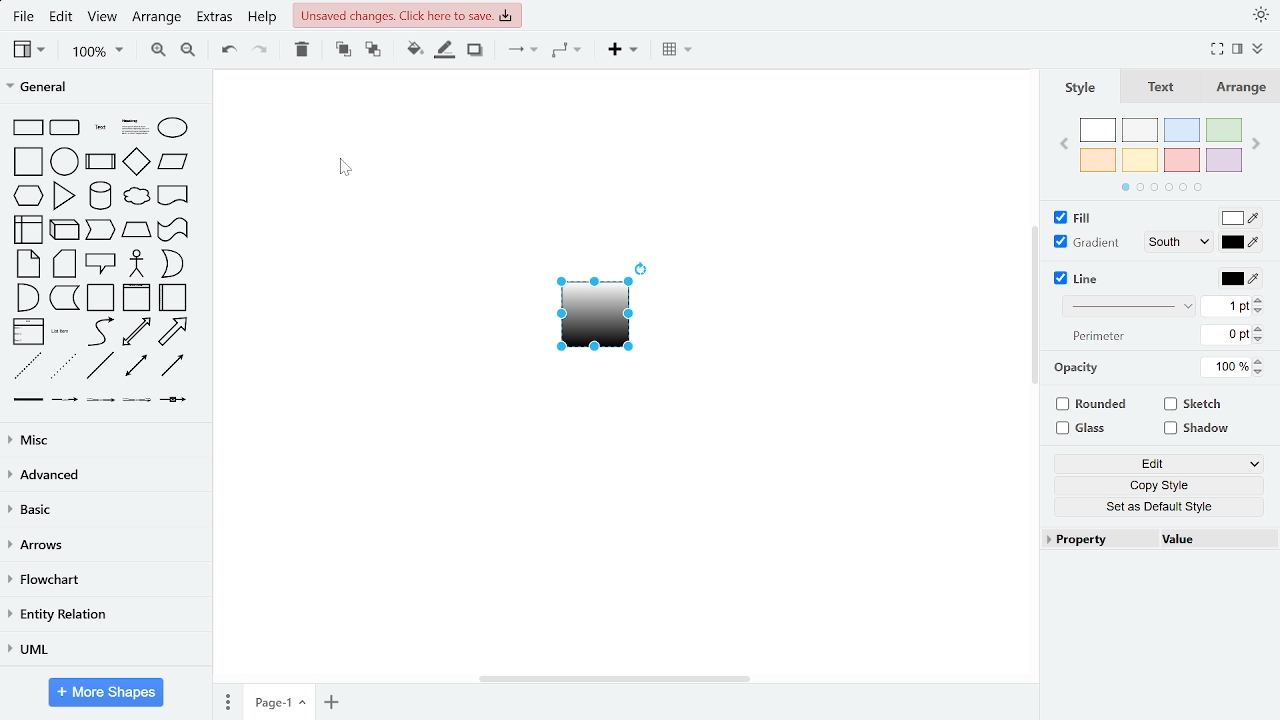 The height and width of the screenshot is (720, 1280). I want to click on general shapes, so click(61, 366).